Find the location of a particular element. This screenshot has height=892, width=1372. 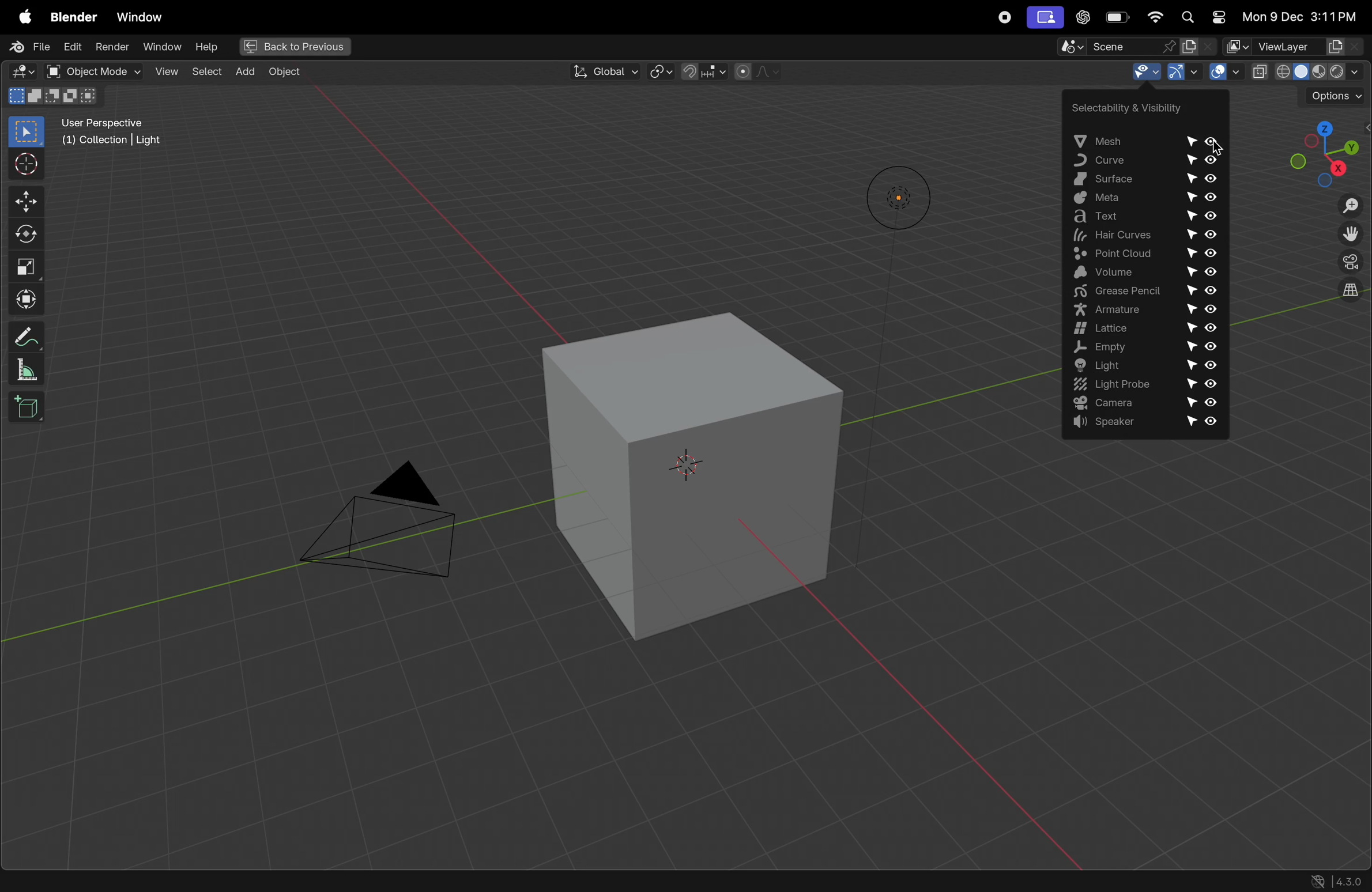

Empty is located at coordinates (1141, 348).